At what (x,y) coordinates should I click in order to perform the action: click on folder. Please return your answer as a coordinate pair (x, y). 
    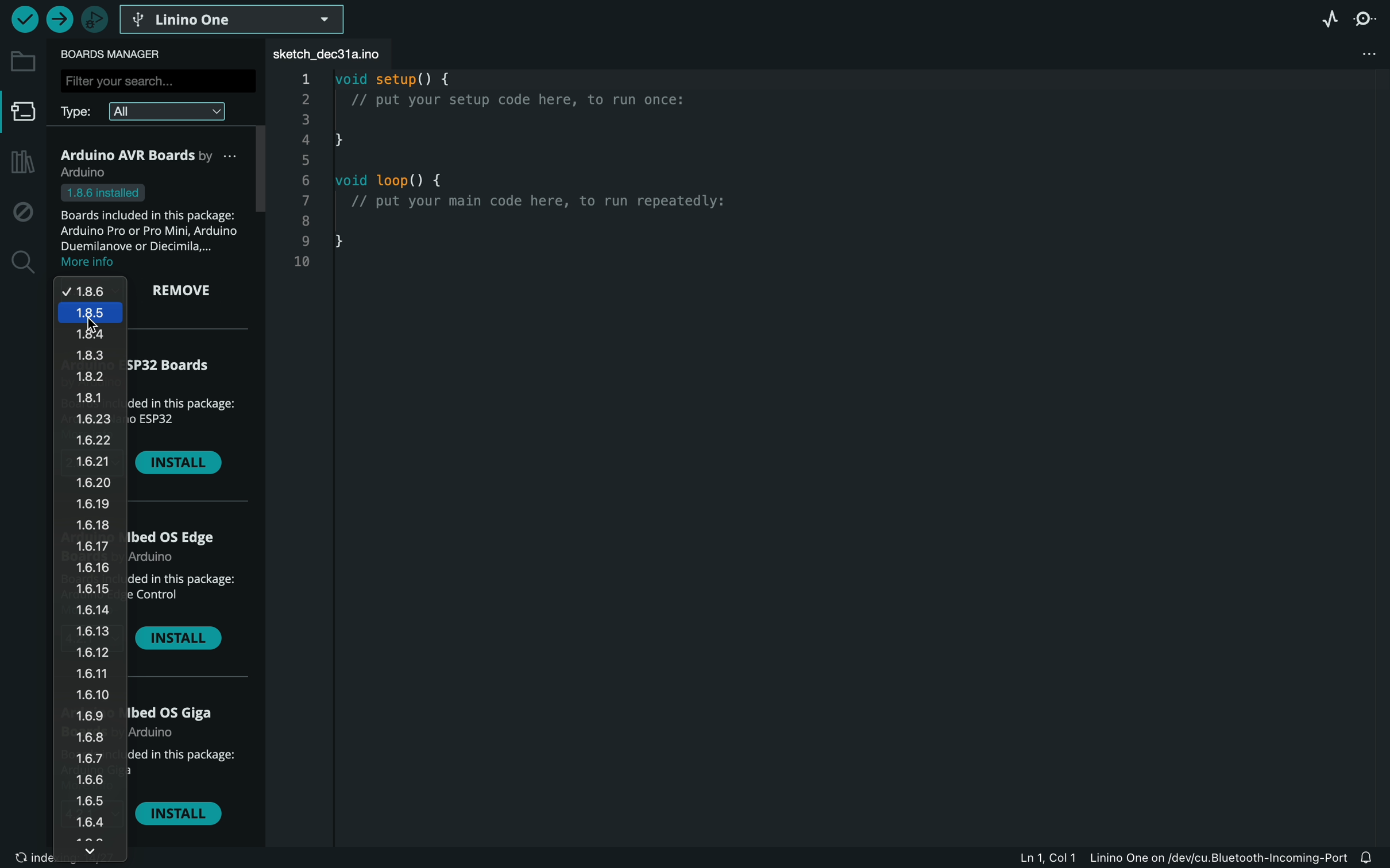
    Looking at the image, I should click on (23, 61).